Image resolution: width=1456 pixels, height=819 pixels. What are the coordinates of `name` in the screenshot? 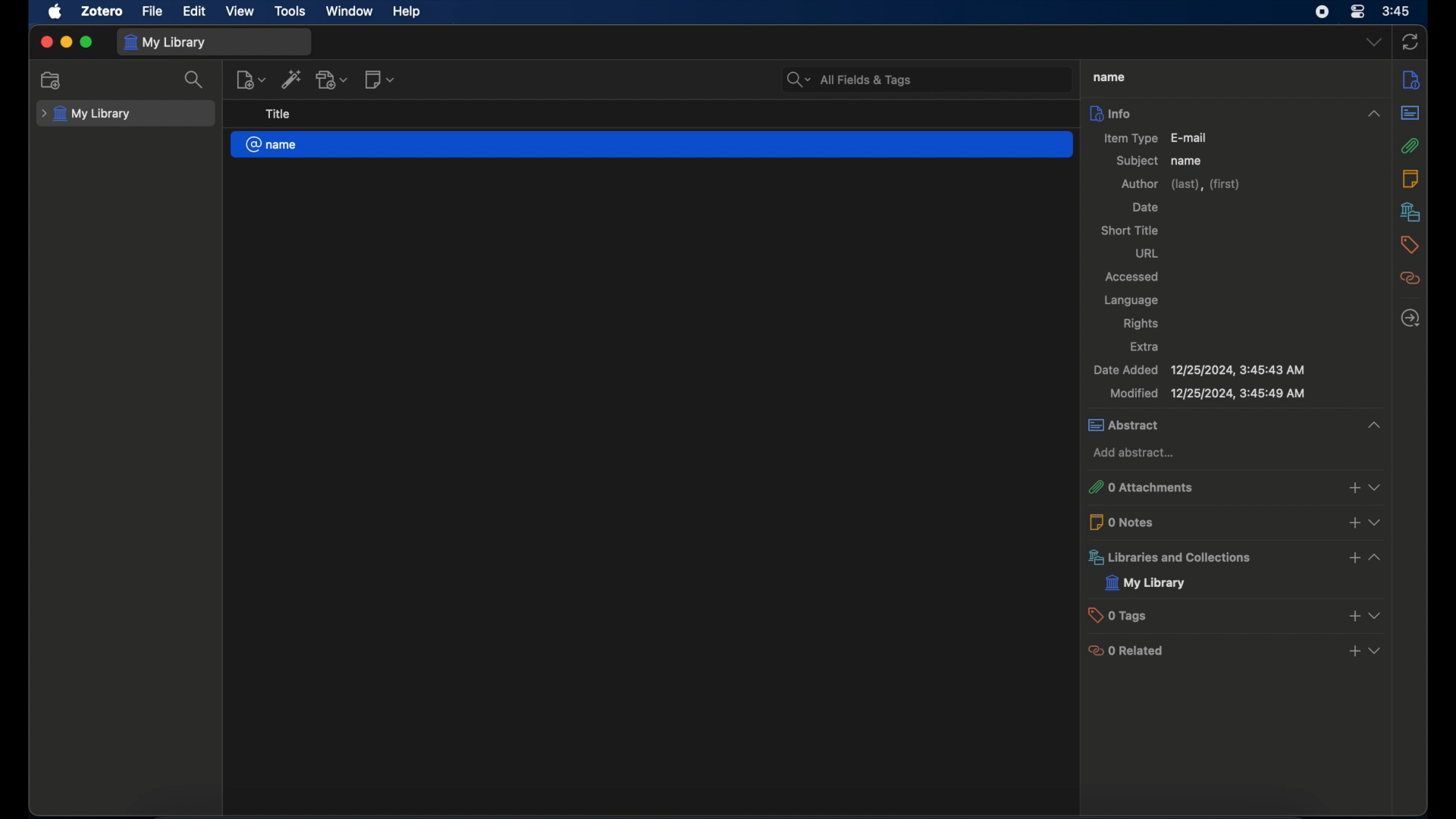 It's located at (651, 145).